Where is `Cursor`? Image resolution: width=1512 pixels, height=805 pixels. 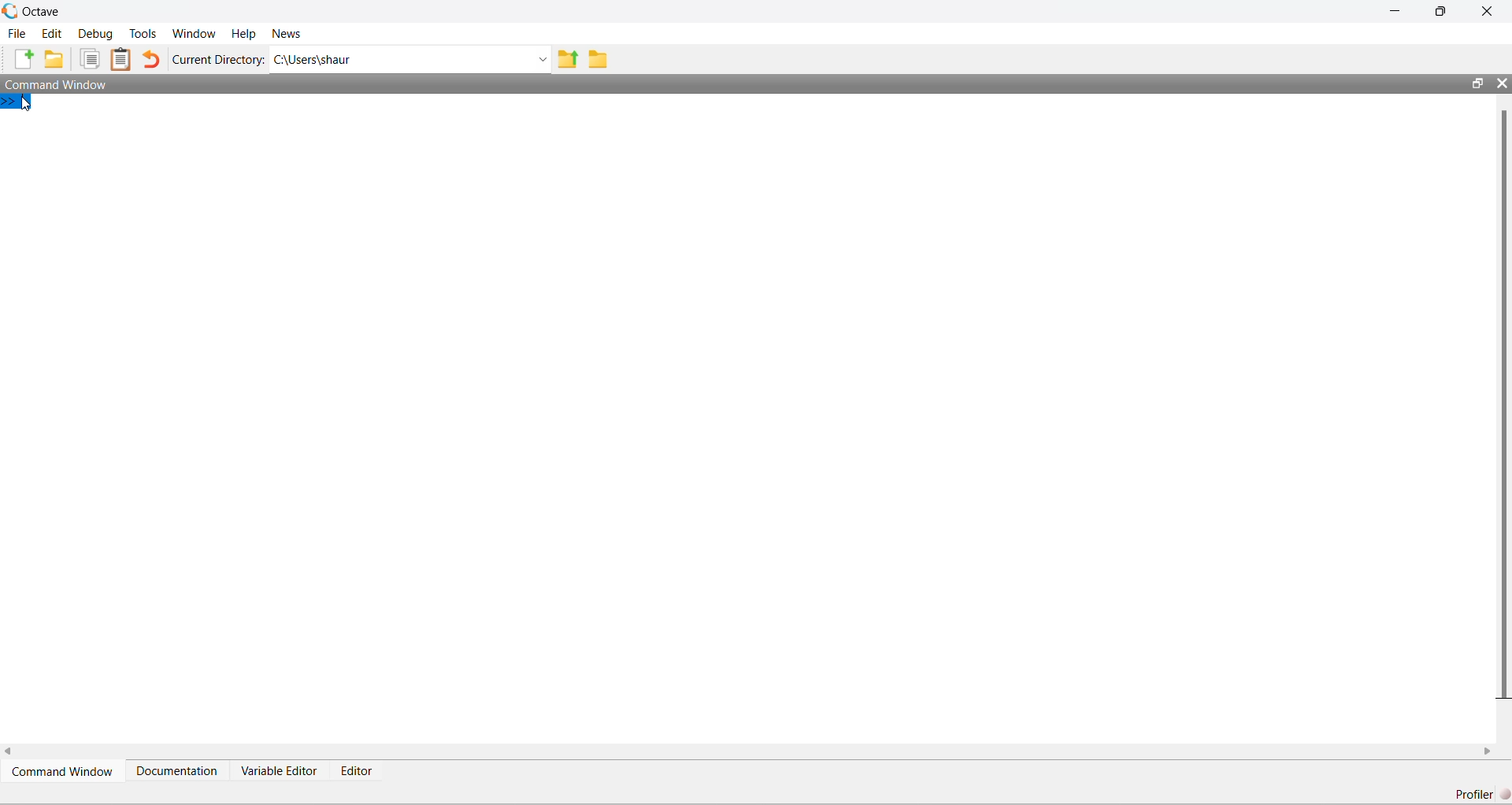
Cursor is located at coordinates (26, 106).